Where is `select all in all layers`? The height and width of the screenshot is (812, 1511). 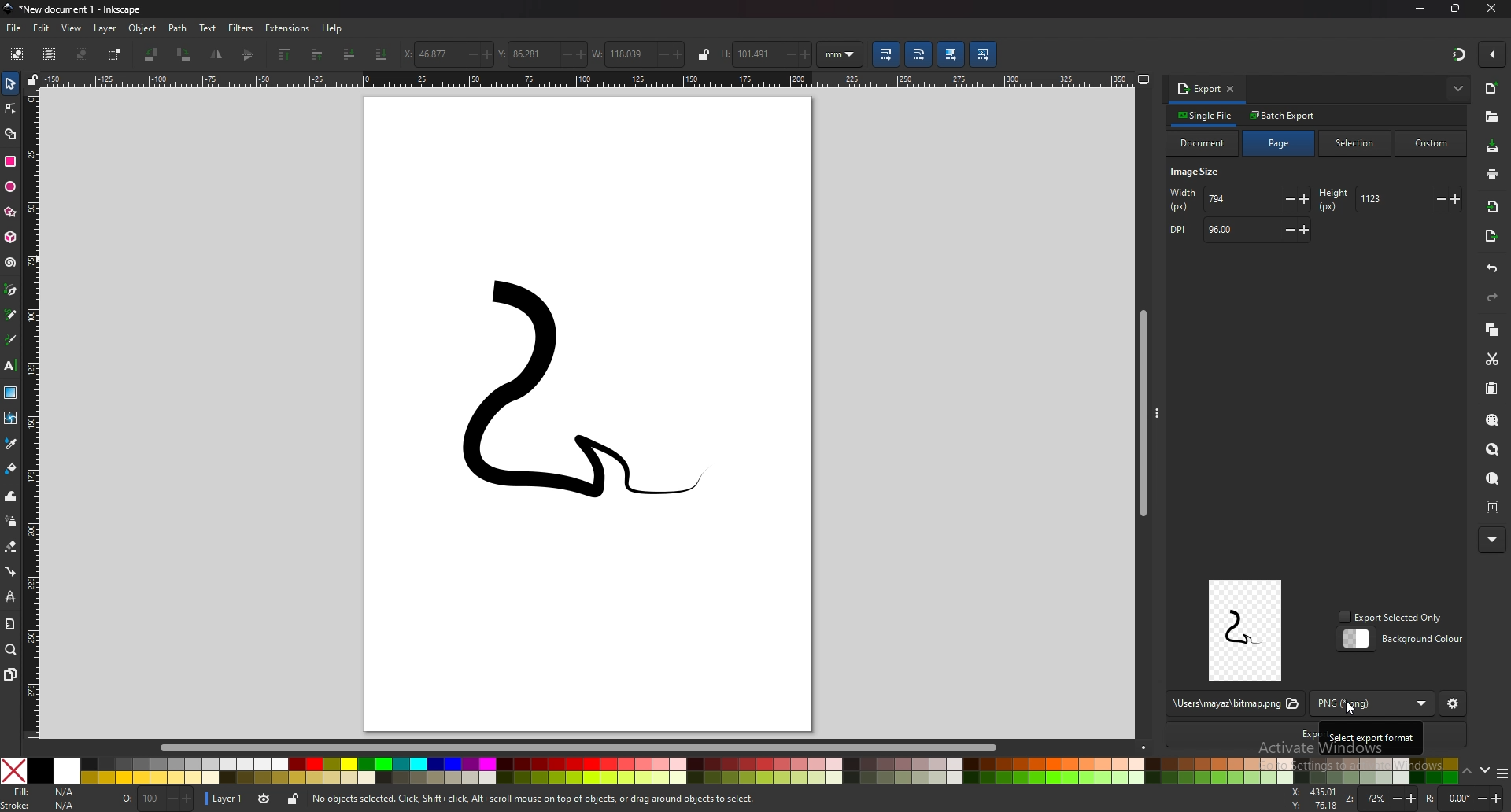
select all in all layers is located at coordinates (49, 54).